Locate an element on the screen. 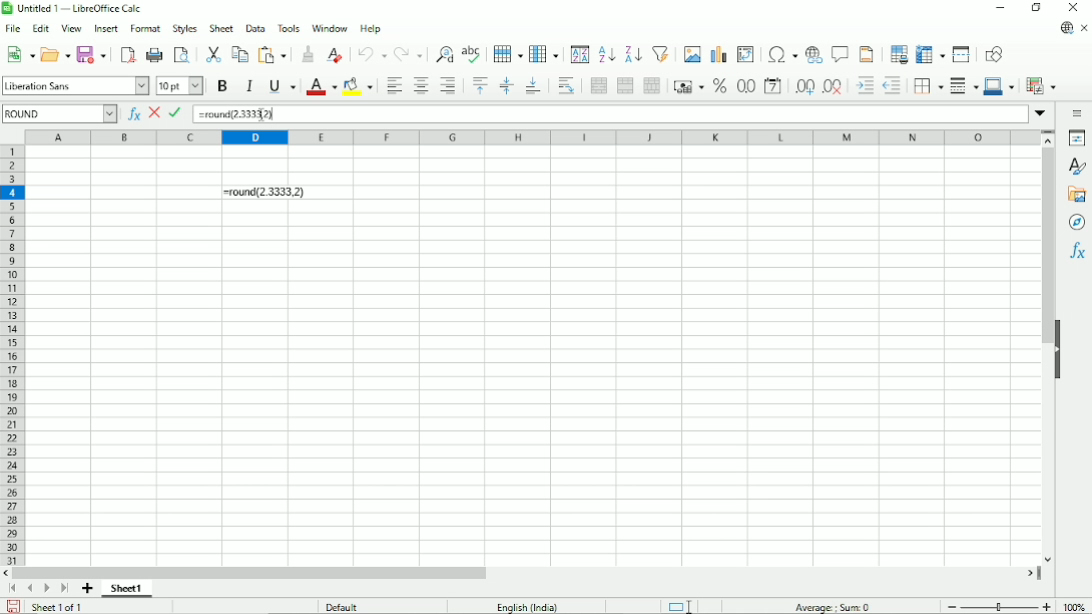 The width and height of the screenshot is (1092, 614). Sheet is located at coordinates (221, 27).